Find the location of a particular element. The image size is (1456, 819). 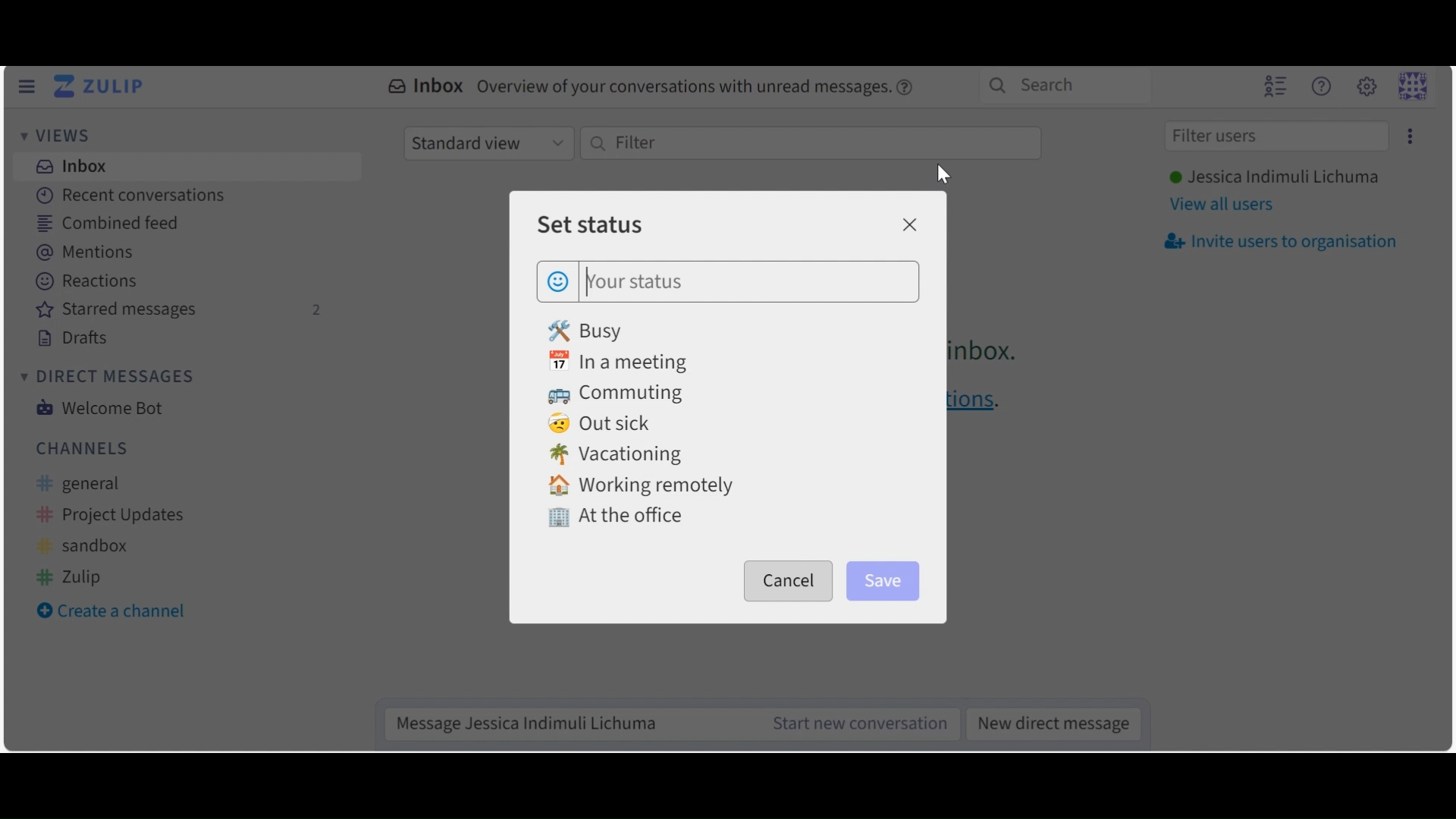

Starred Messages is located at coordinates (180, 311).